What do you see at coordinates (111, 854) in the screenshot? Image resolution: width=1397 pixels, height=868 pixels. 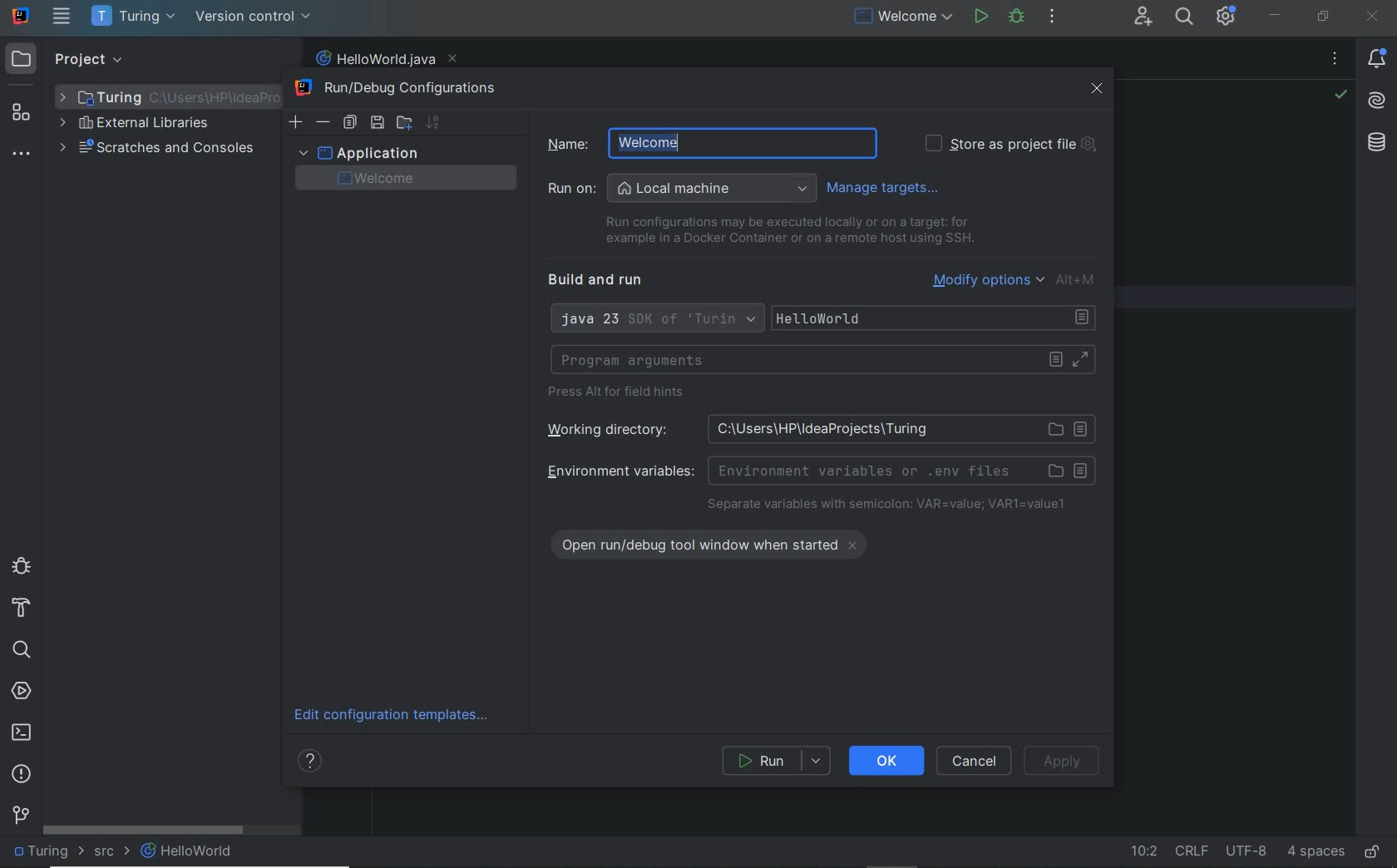 I see `src` at bounding box center [111, 854].